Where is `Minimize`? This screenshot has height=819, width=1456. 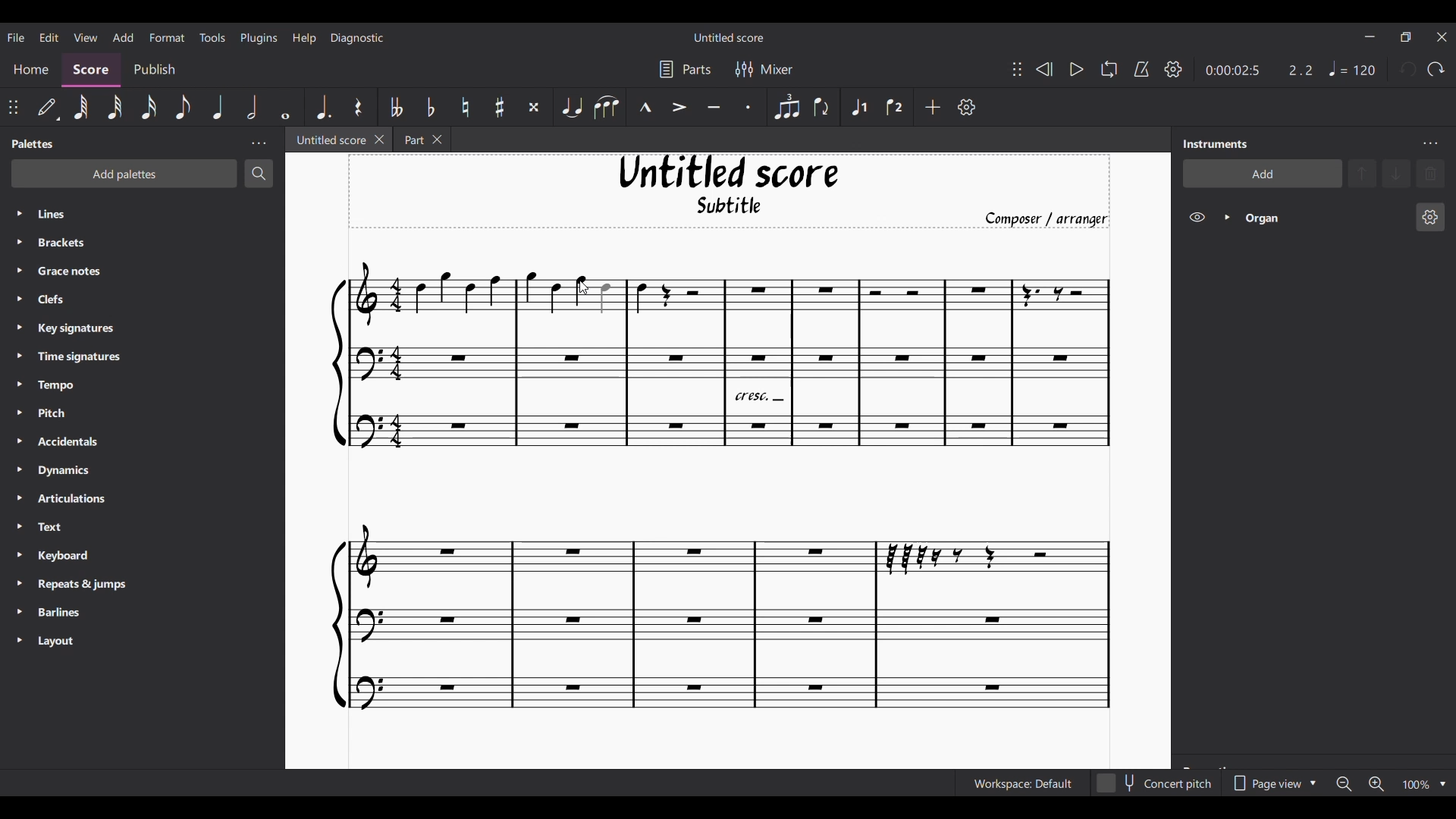 Minimize is located at coordinates (1371, 36).